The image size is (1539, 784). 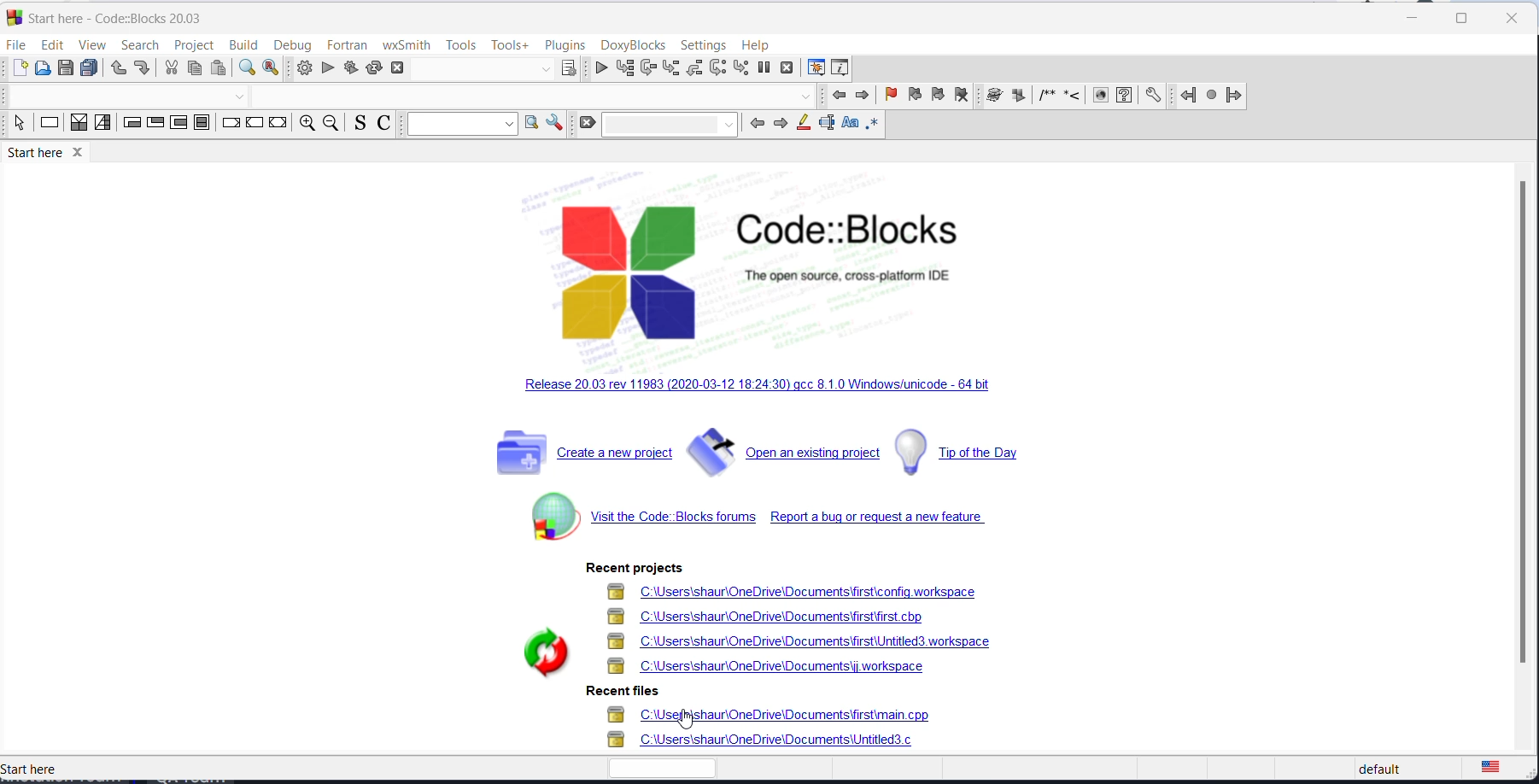 What do you see at coordinates (19, 67) in the screenshot?
I see `NEW FILE` at bounding box center [19, 67].